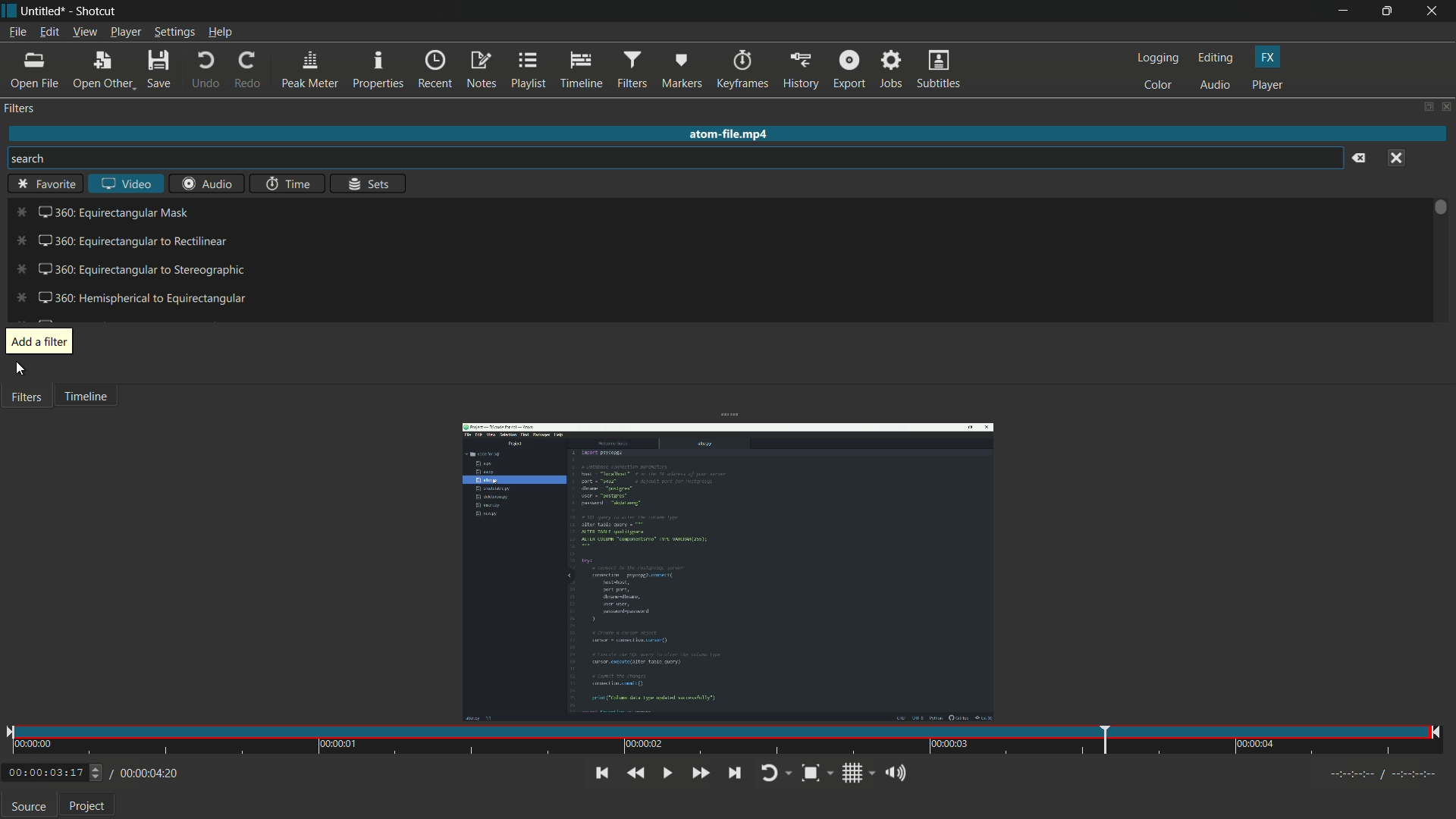 The image size is (1456, 819). What do you see at coordinates (1442, 209) in the screenshot?
I see `scroll bar` at bounding box center [1442, 209].